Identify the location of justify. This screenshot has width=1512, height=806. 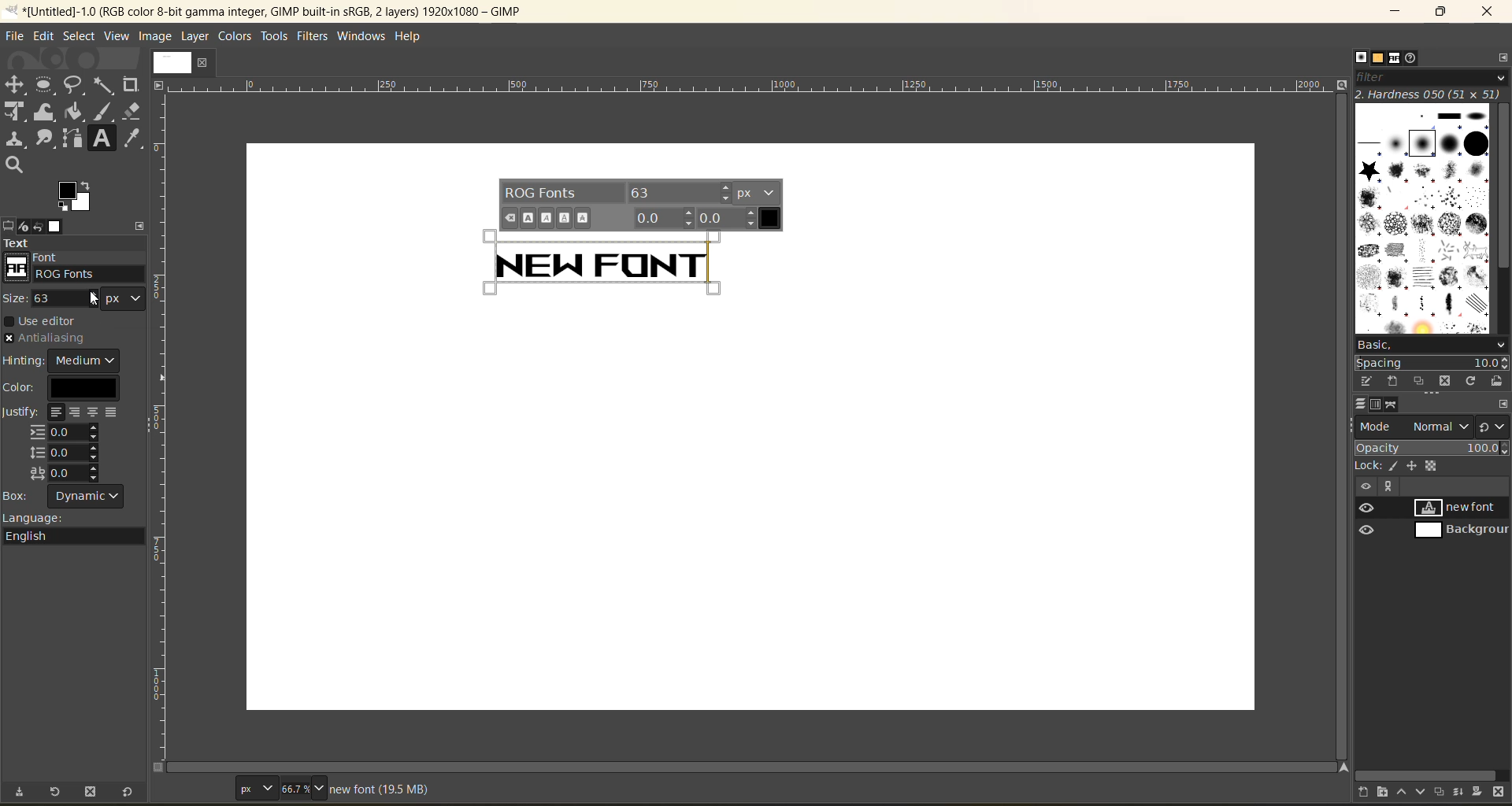
(65, 443).